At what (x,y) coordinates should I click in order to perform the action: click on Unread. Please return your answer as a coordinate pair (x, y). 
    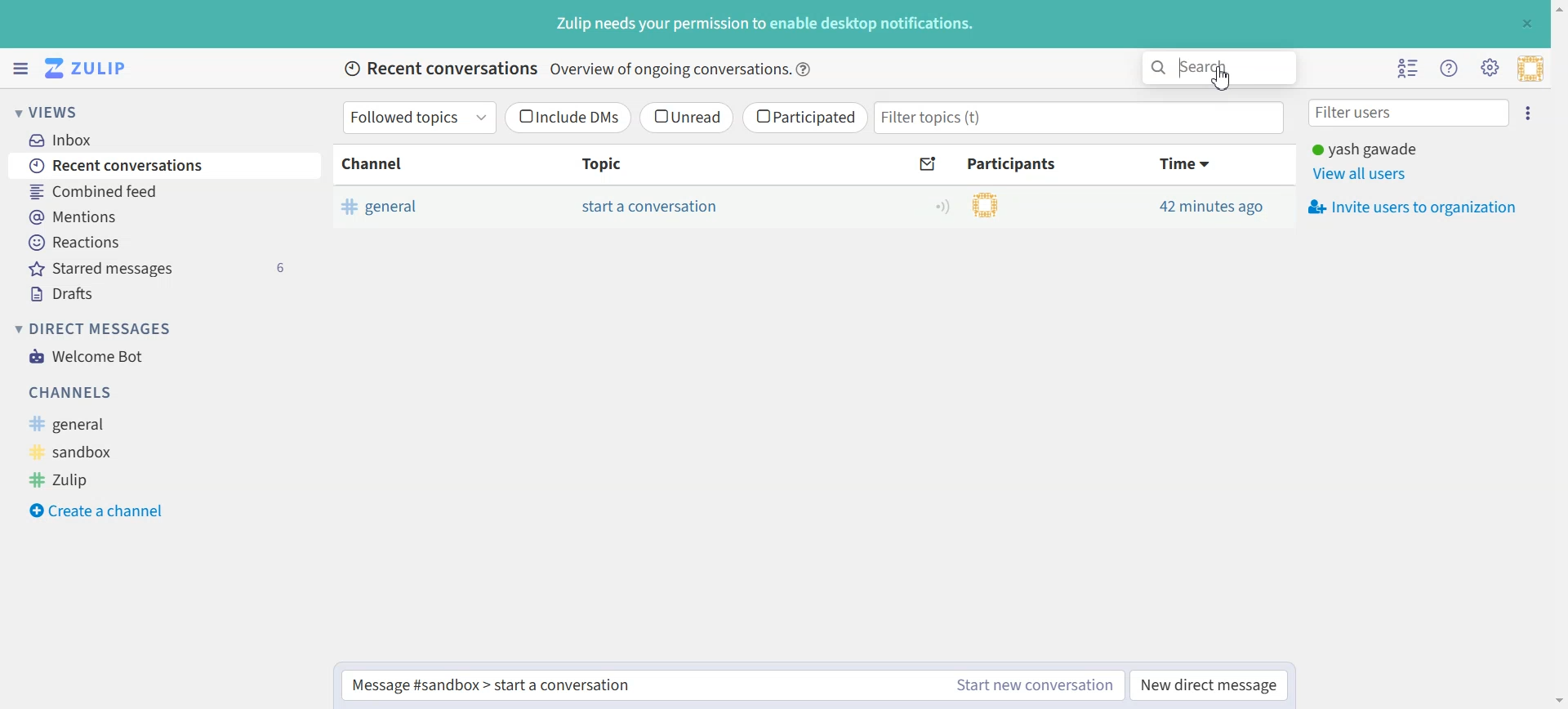
    Looking at the image, I should click on (687, 118).